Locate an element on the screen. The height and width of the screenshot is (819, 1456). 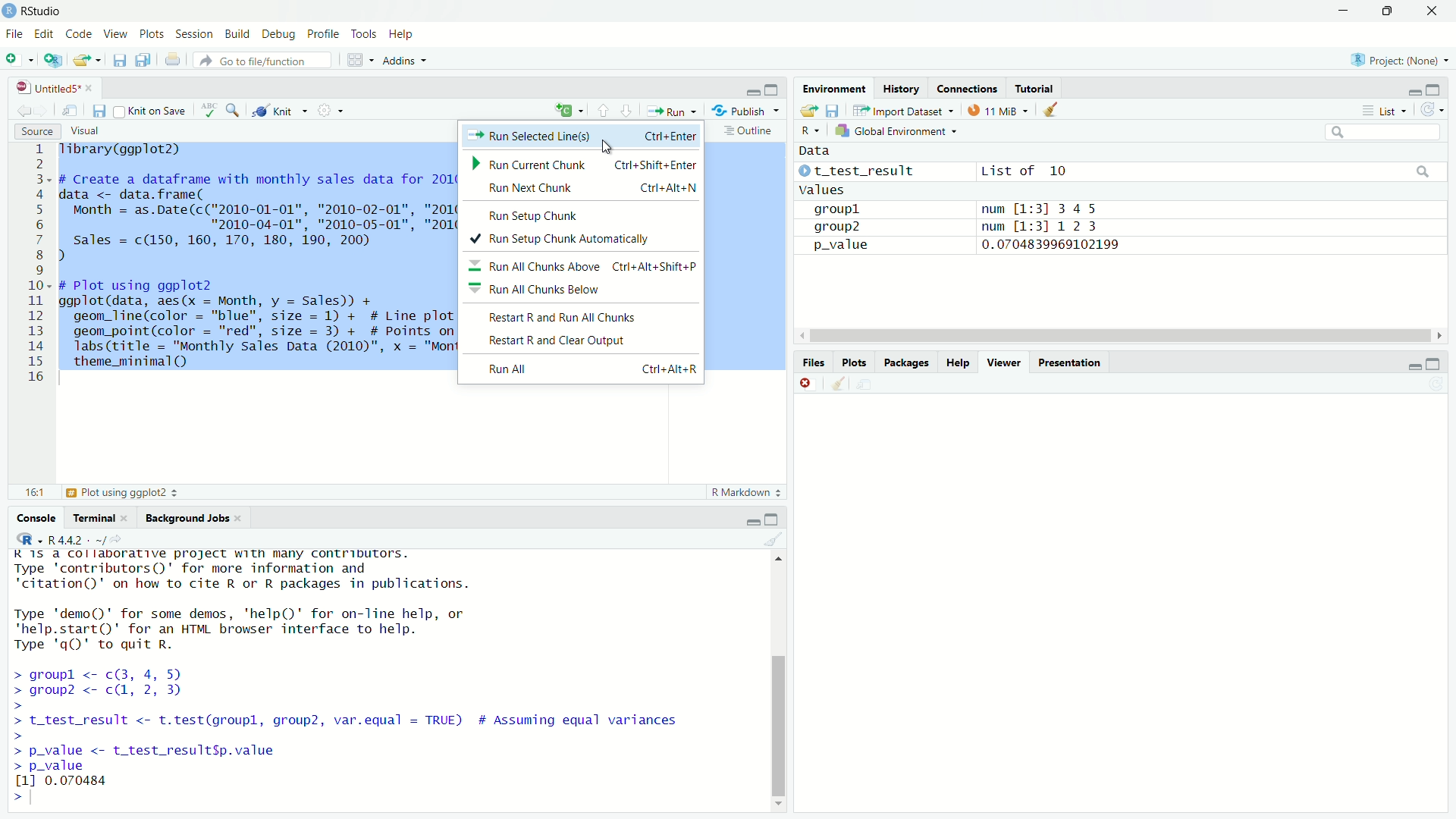
minimise is located at coordinates (1413, 89).